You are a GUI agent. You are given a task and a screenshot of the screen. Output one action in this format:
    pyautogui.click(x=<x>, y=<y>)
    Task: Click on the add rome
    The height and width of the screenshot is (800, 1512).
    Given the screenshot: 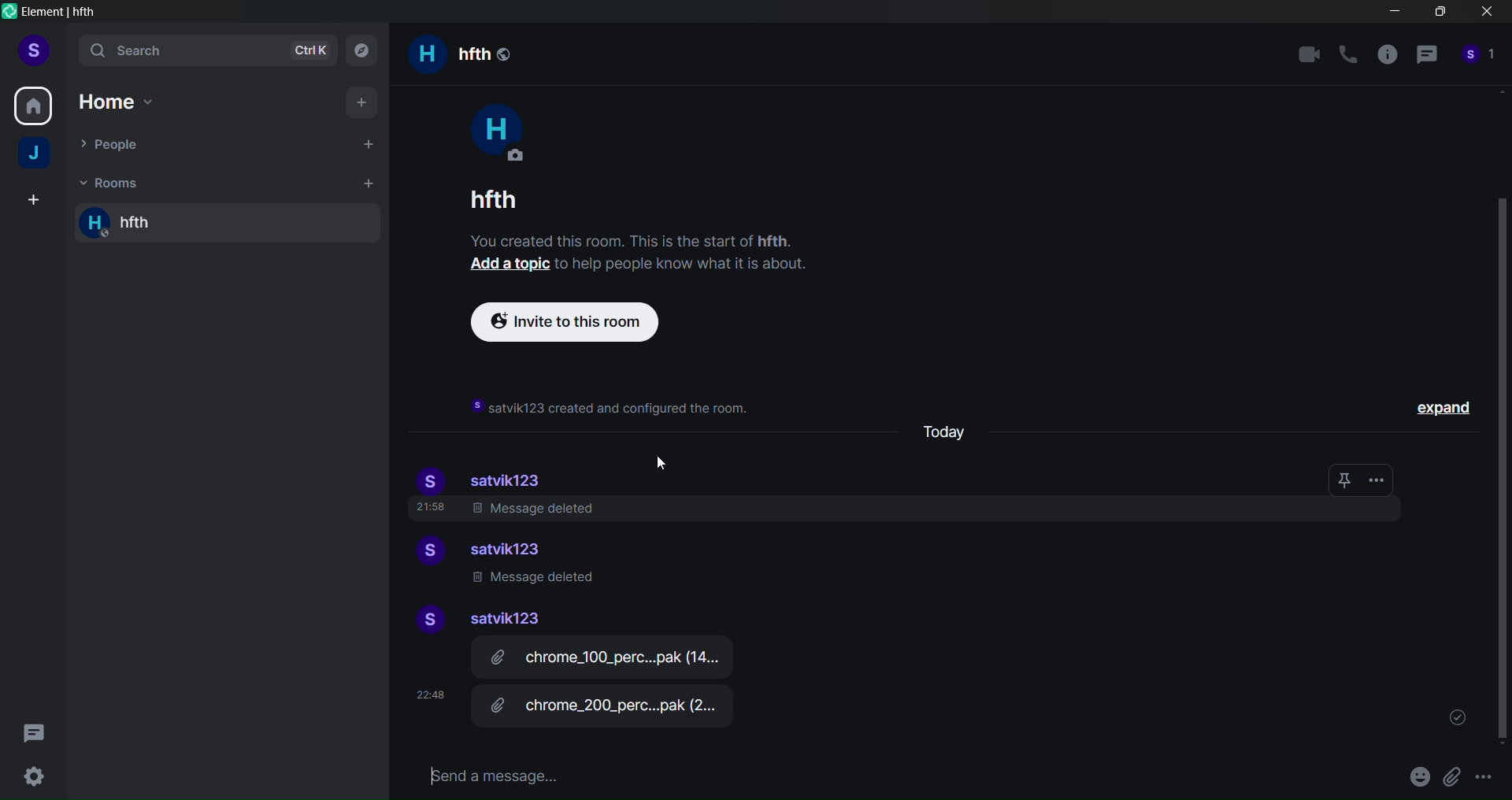 What is the action you would take?
    pyautogui.click(x=365, y=183)
    